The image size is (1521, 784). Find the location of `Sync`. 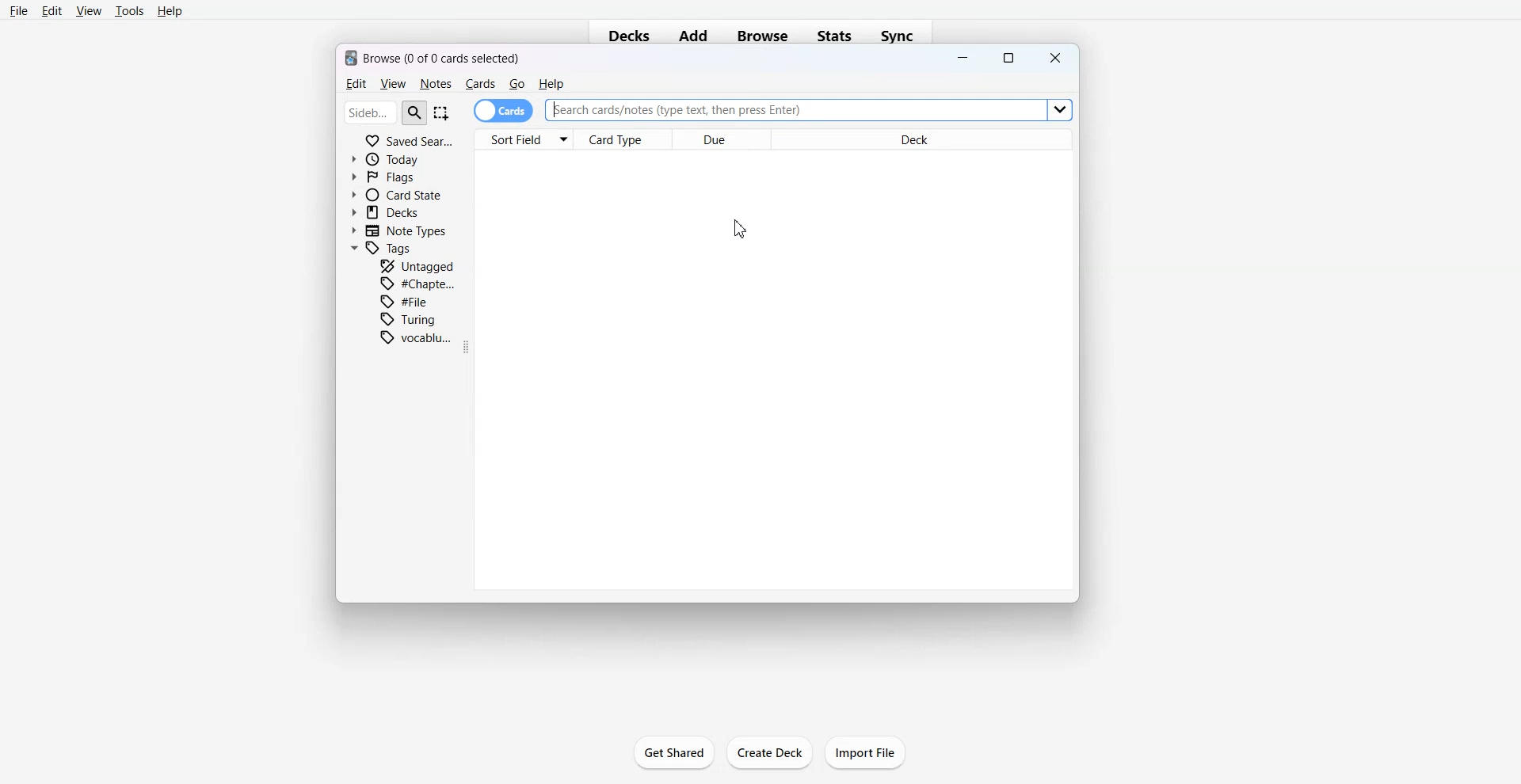

Sync is located at coordinates (902, 36).